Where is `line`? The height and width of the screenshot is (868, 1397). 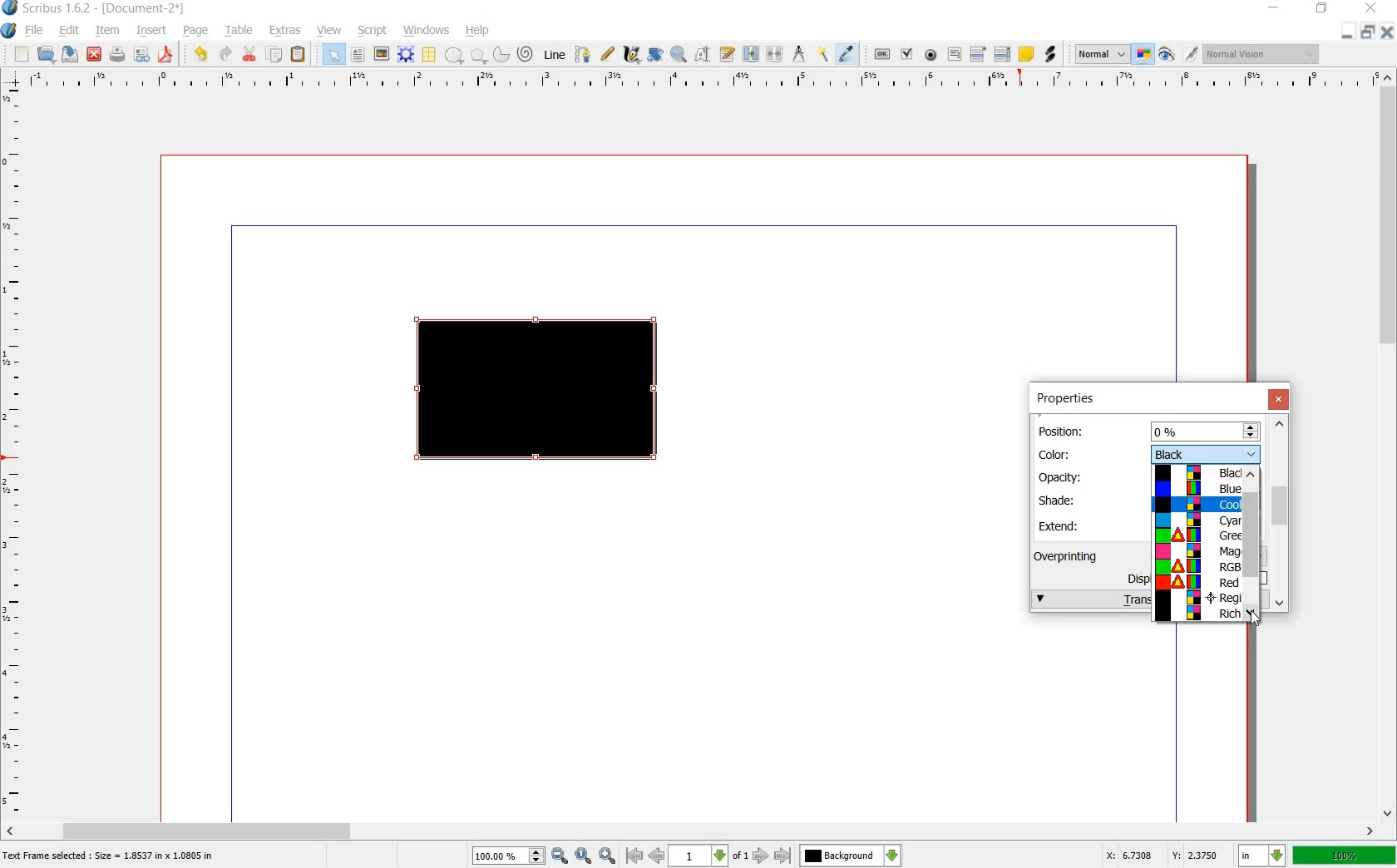 line is located at coordinates (556, 56).